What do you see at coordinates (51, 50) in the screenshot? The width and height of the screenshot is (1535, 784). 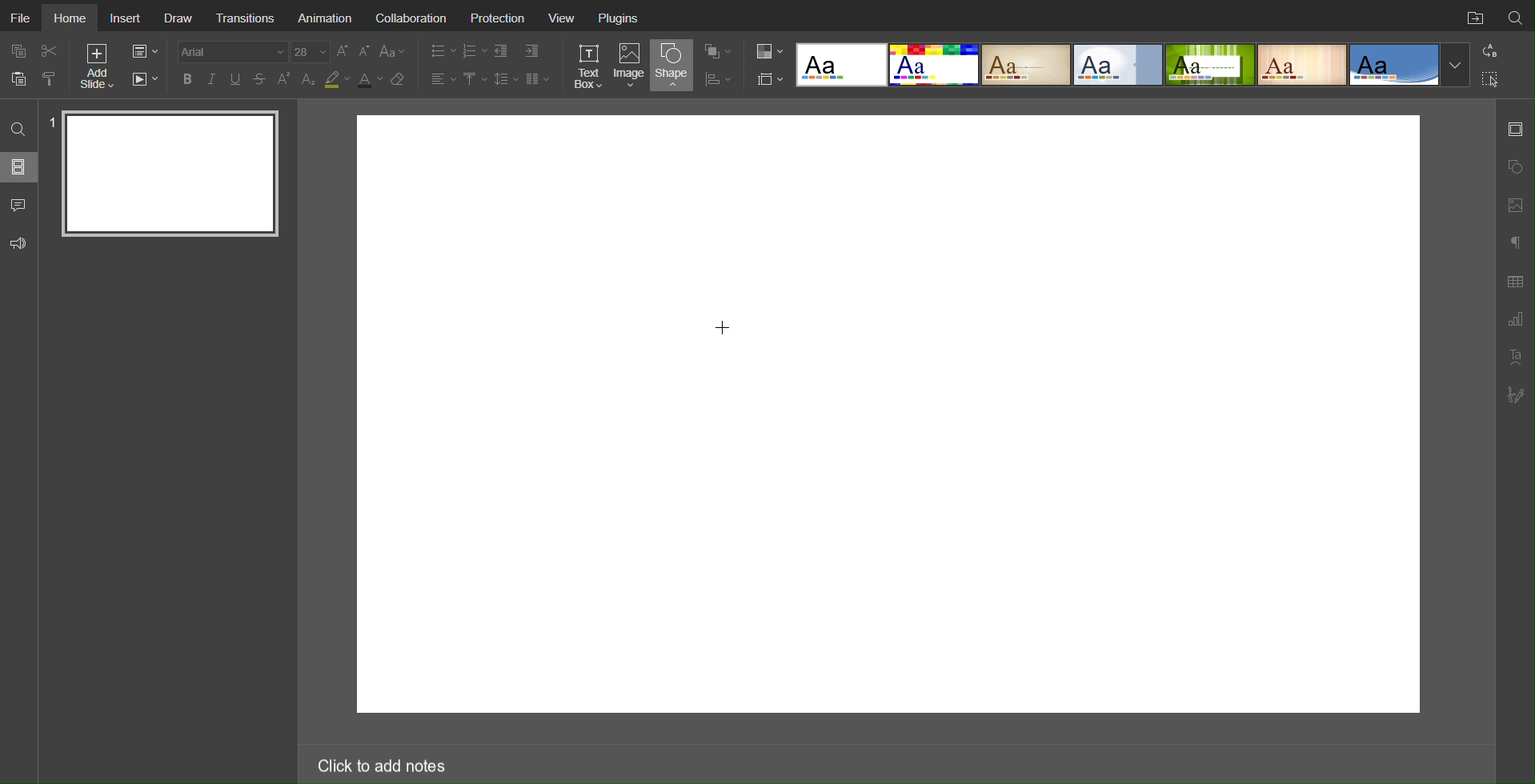 I see `Cut` at bounding box center [51, 50].